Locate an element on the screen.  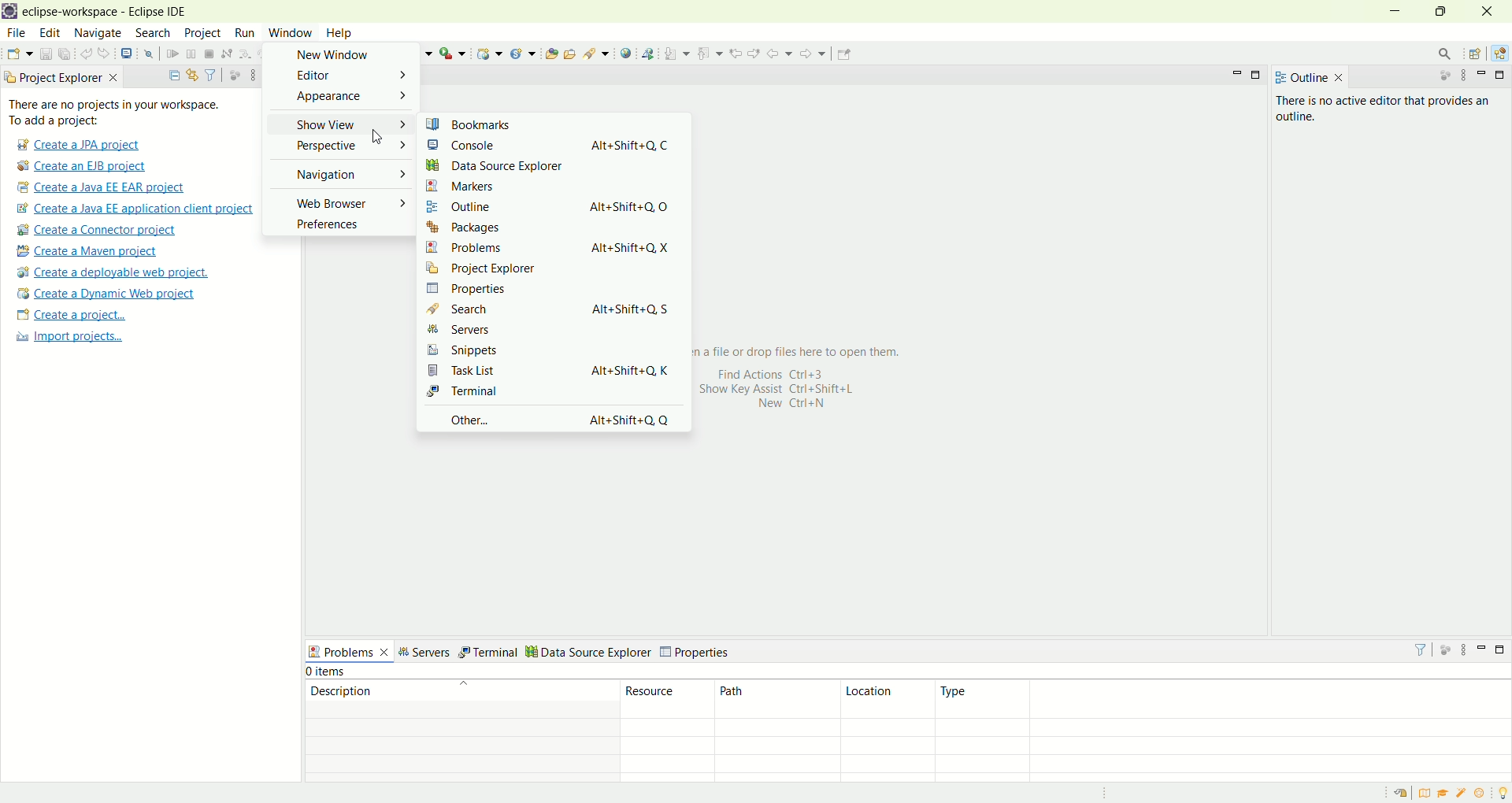
servers is located at coordinates (495, 329).